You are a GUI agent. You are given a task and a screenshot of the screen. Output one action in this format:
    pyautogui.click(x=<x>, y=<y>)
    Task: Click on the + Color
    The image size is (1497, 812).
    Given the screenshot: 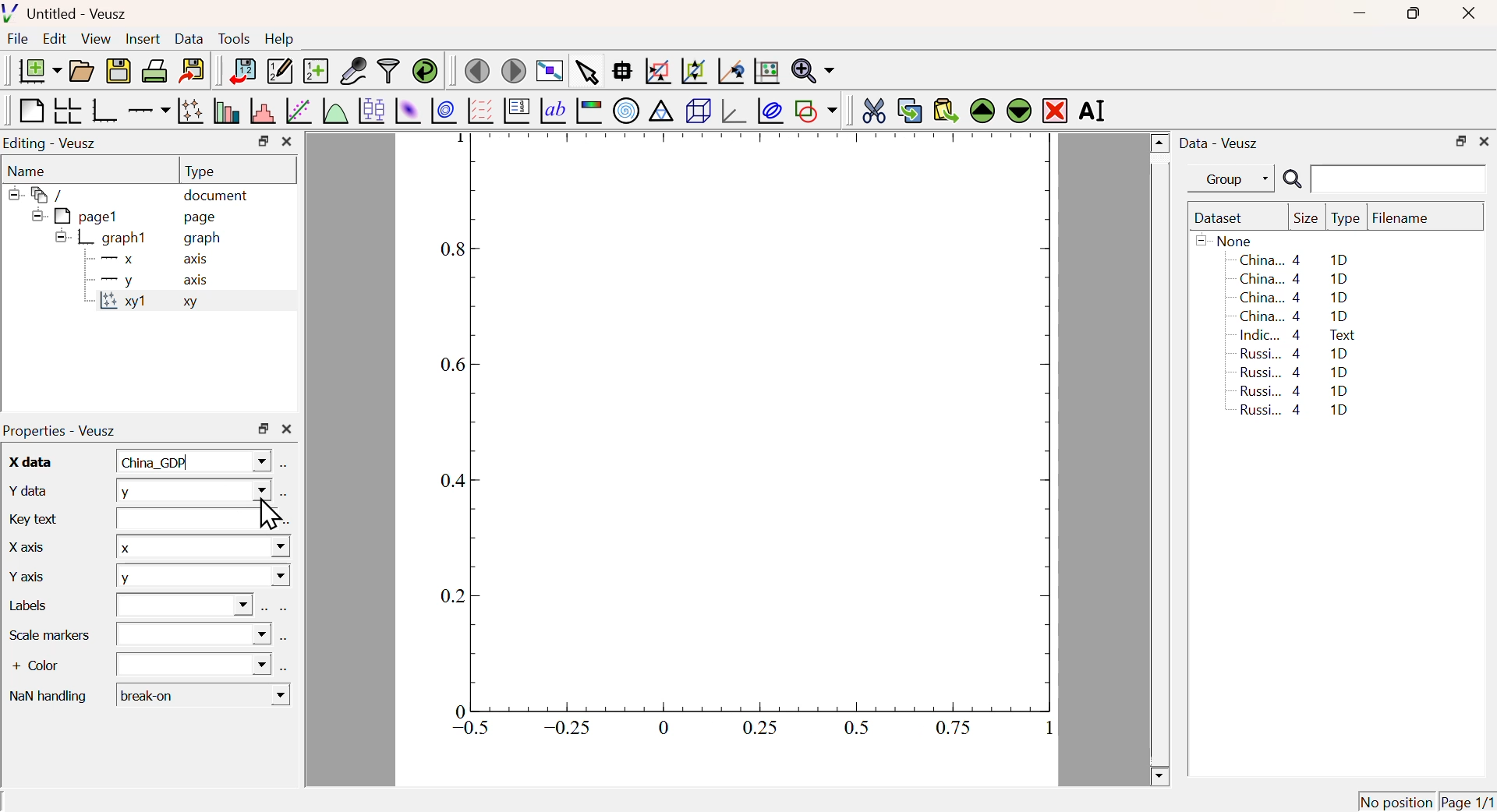 What is the action you would take?
    pyautogui.click(x=48, y=667)
    